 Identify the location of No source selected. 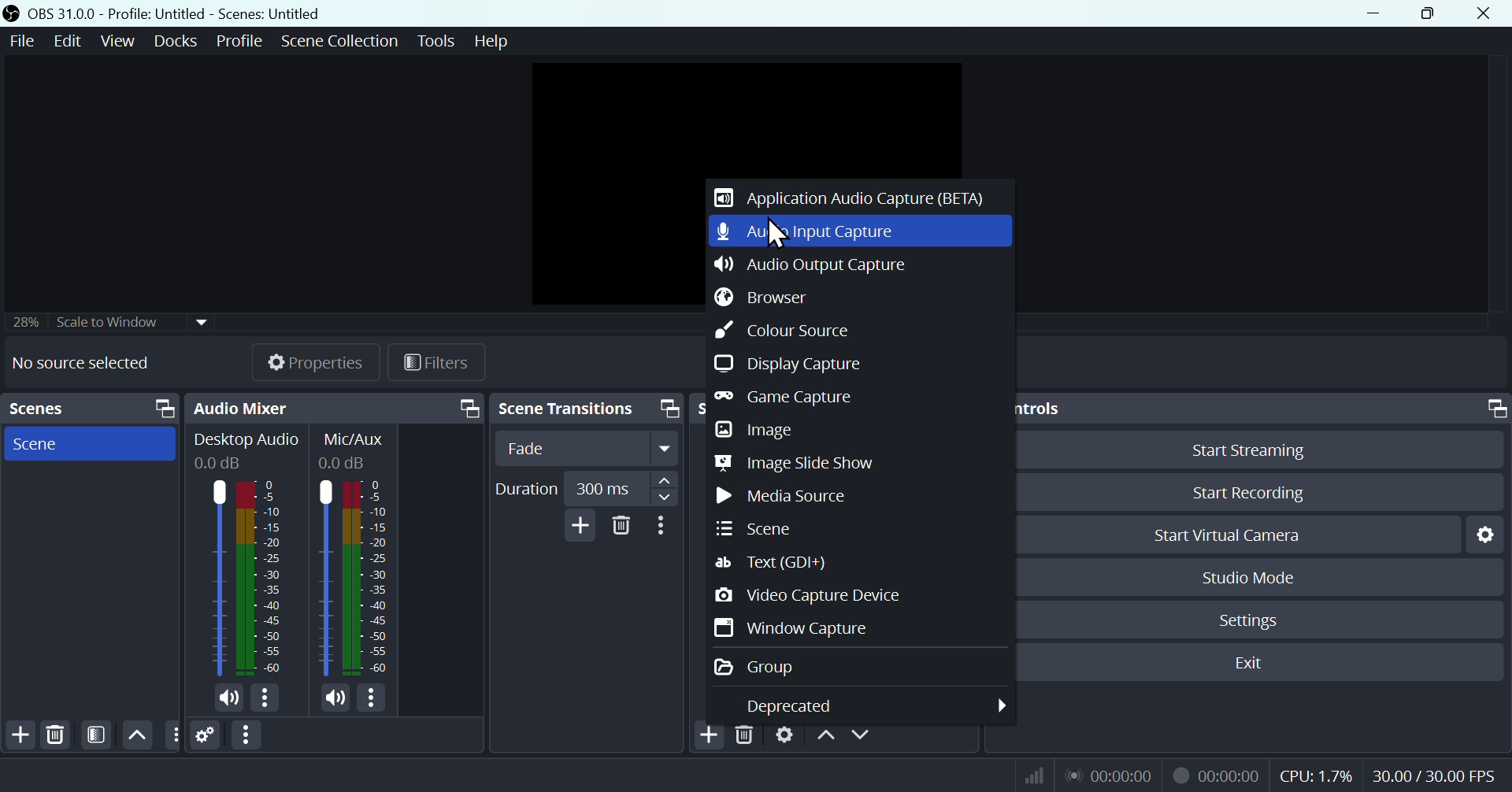
(80, 362).